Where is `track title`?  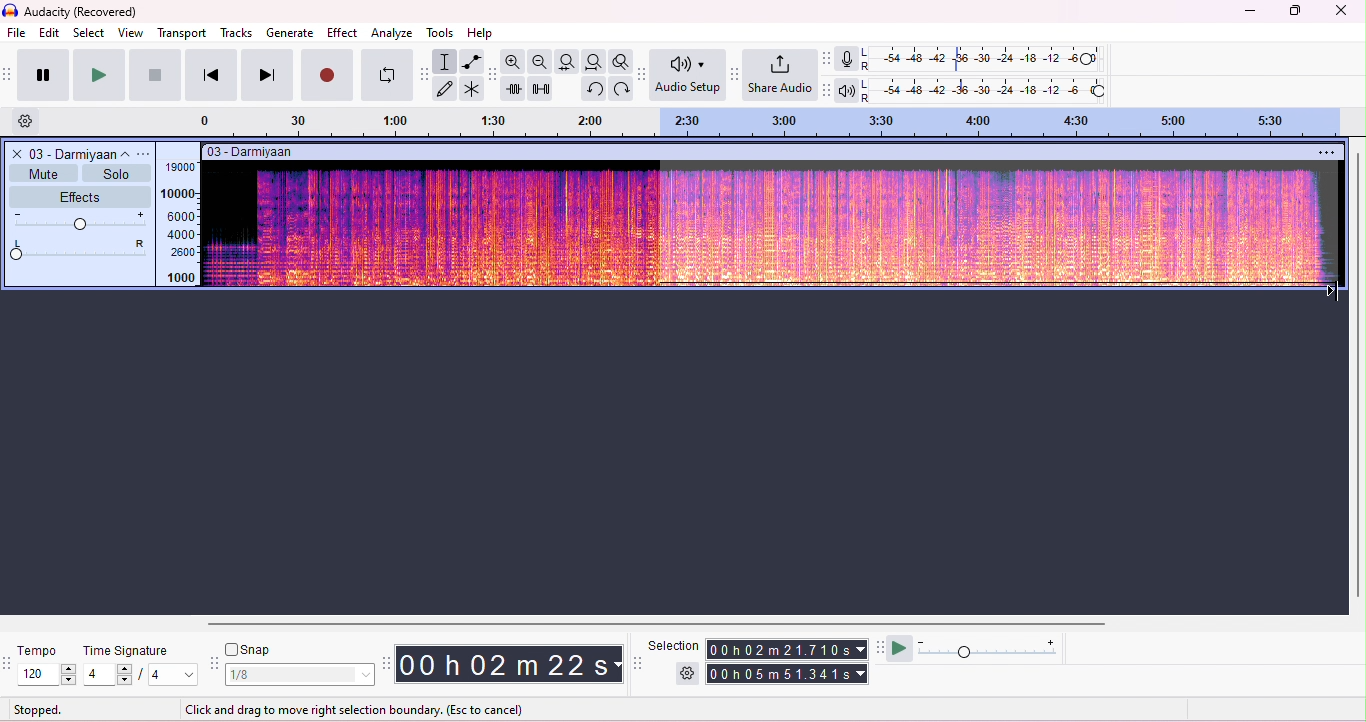 track title is located at coordinates (252, 151).